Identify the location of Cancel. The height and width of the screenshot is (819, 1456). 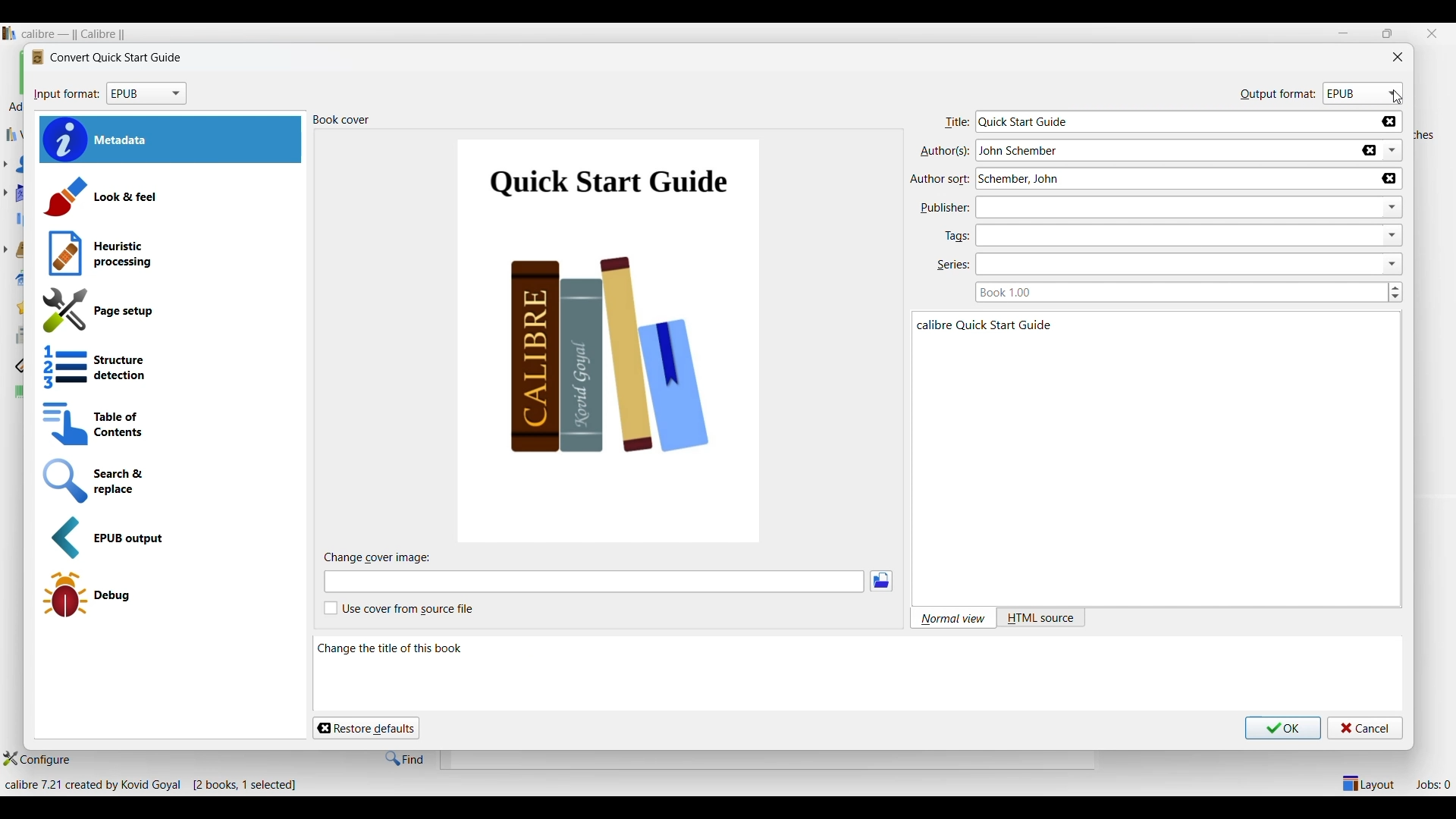
(1365, 729).